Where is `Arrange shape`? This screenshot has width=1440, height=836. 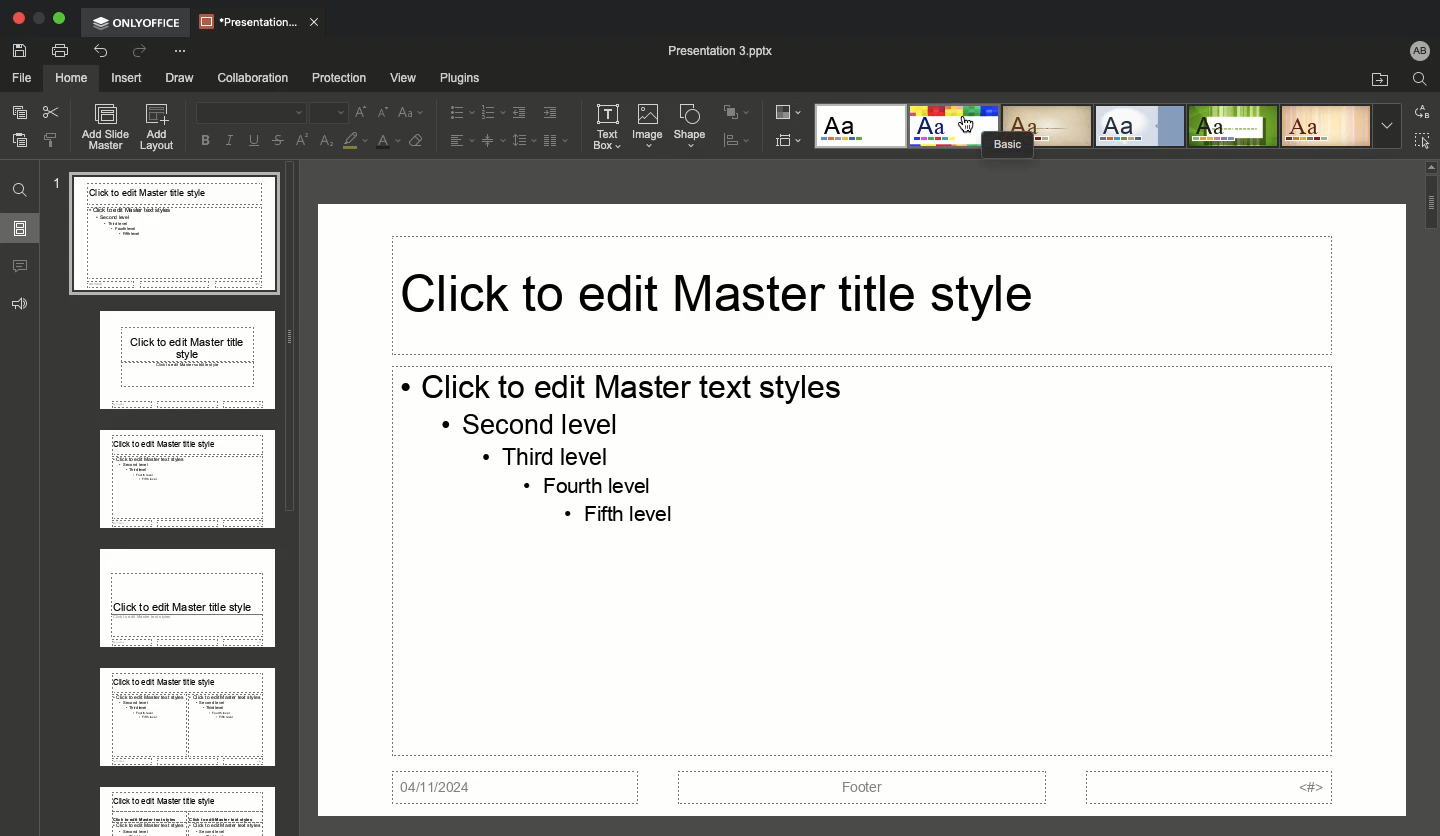 Arrange shape is located at coordinates (738, 111).